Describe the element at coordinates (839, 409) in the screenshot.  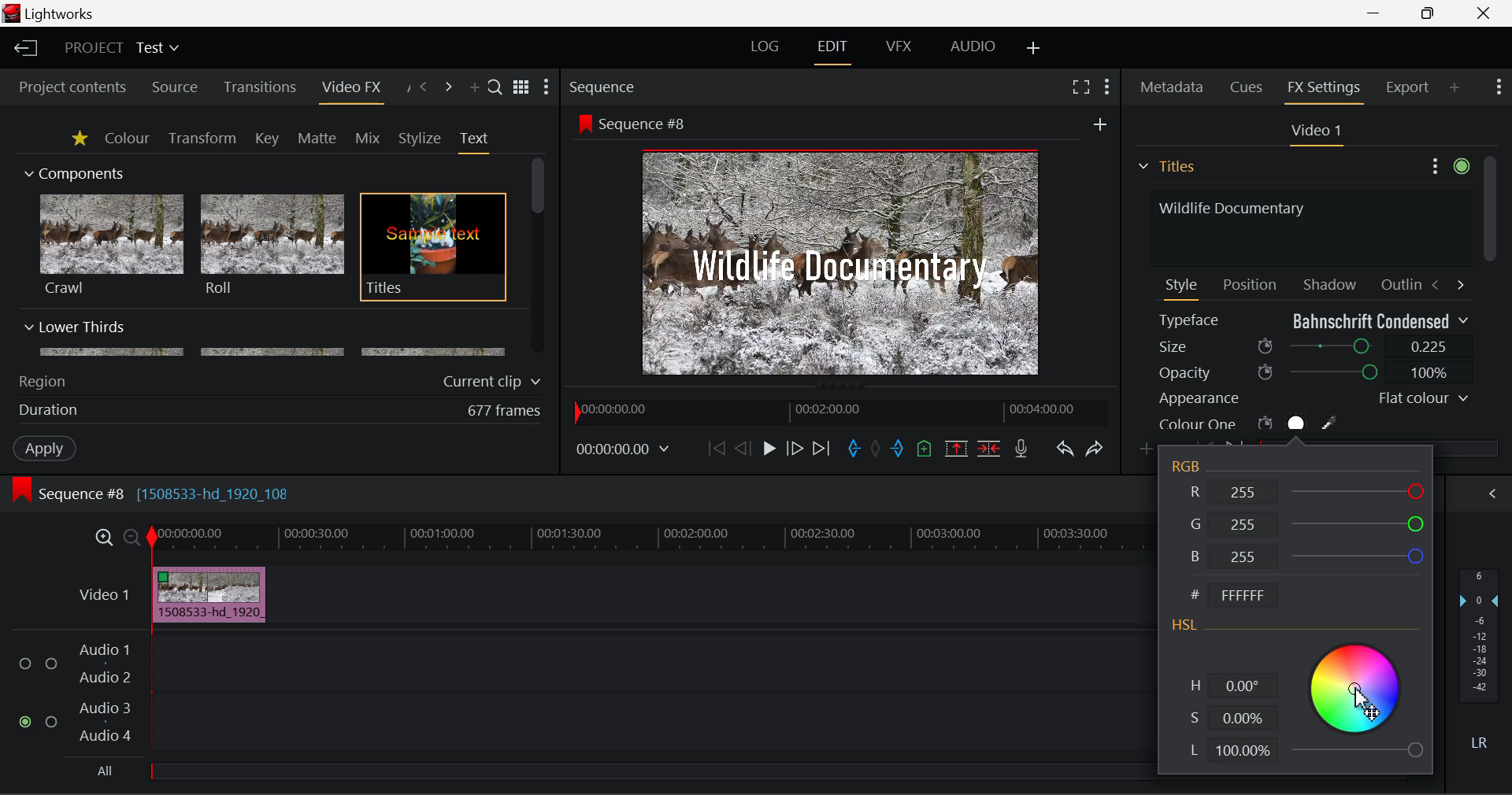
I see `Project Timeline Navigator` at that location.